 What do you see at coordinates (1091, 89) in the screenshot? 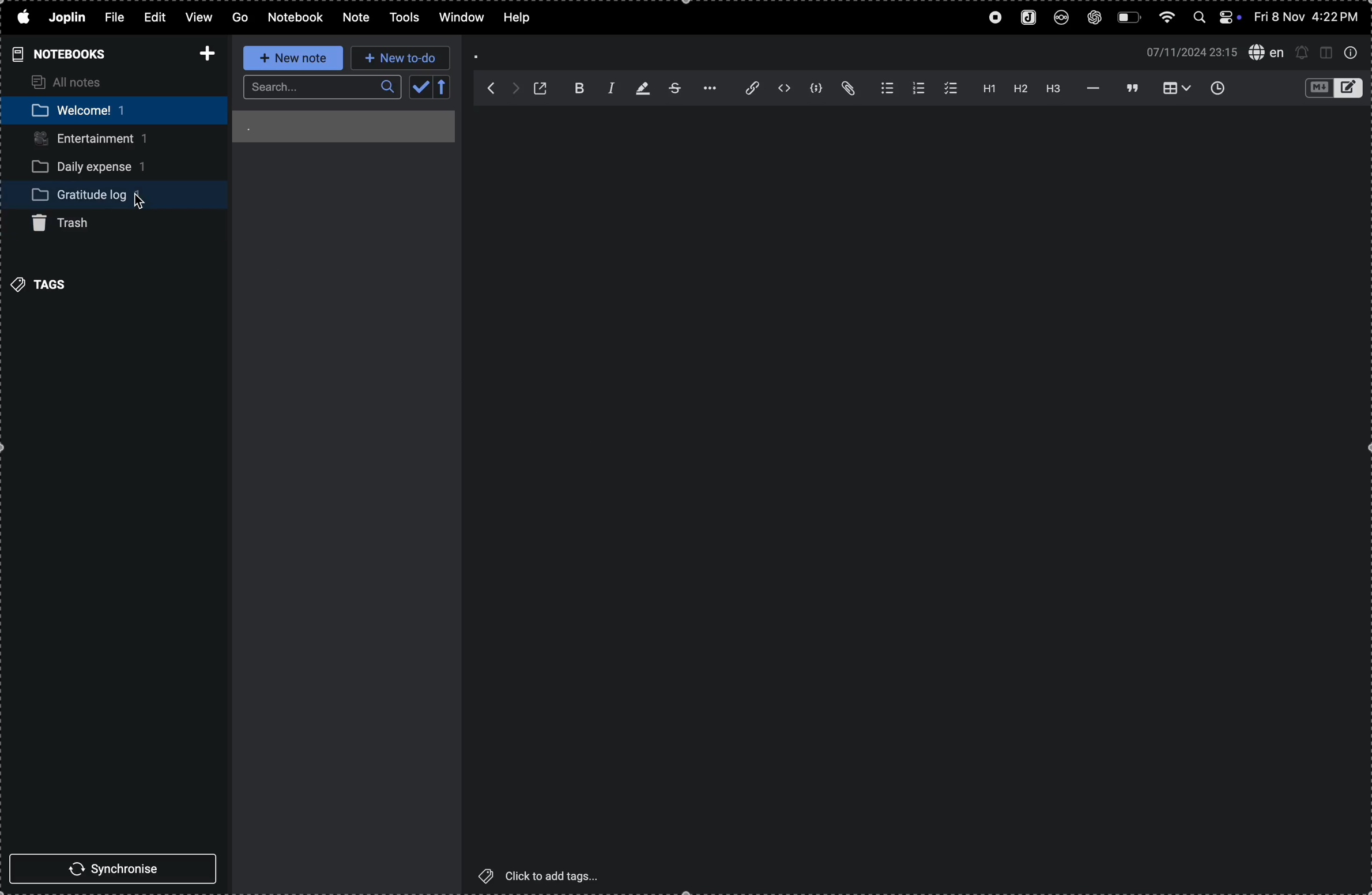
I see `horrizontal line` at bounding box center [1091, 89].